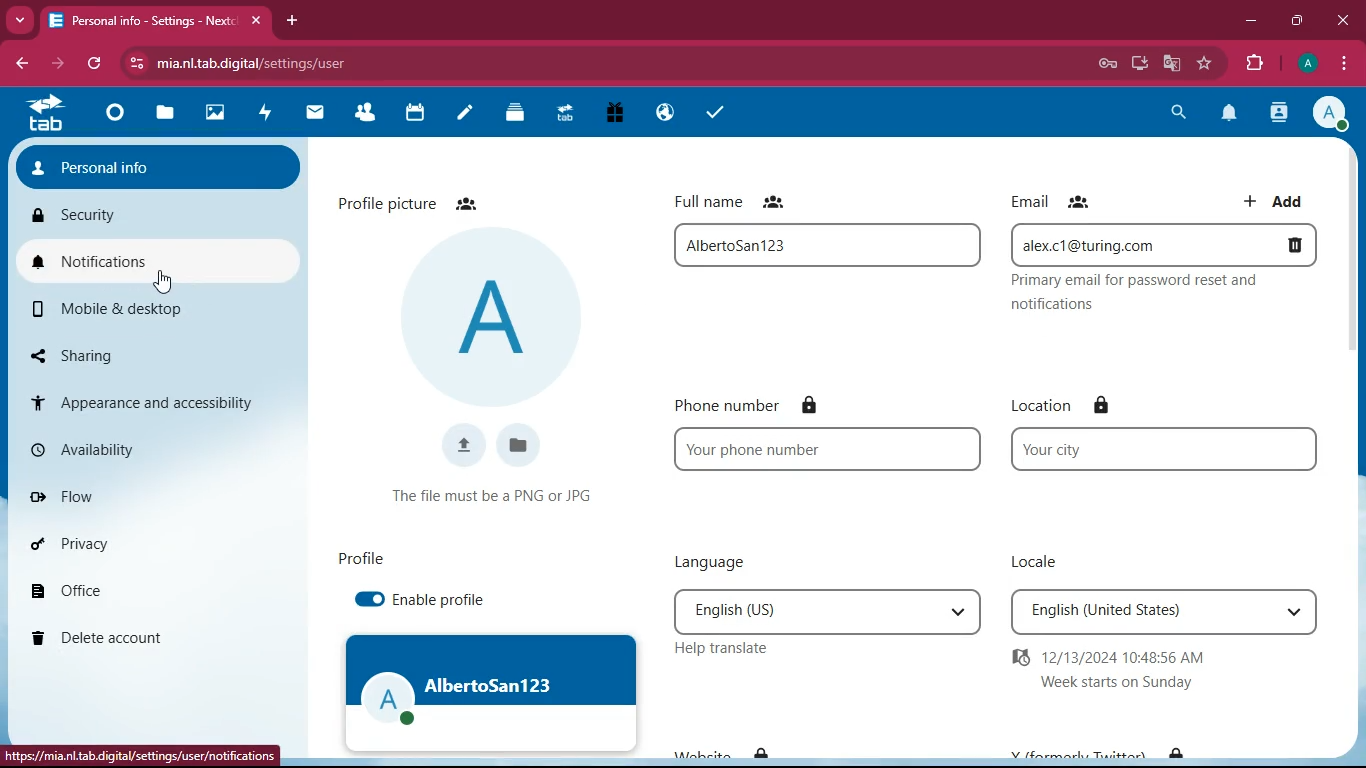  Describe the element at coordinates (711, 560) in the screenshot. I see `language` at that location.